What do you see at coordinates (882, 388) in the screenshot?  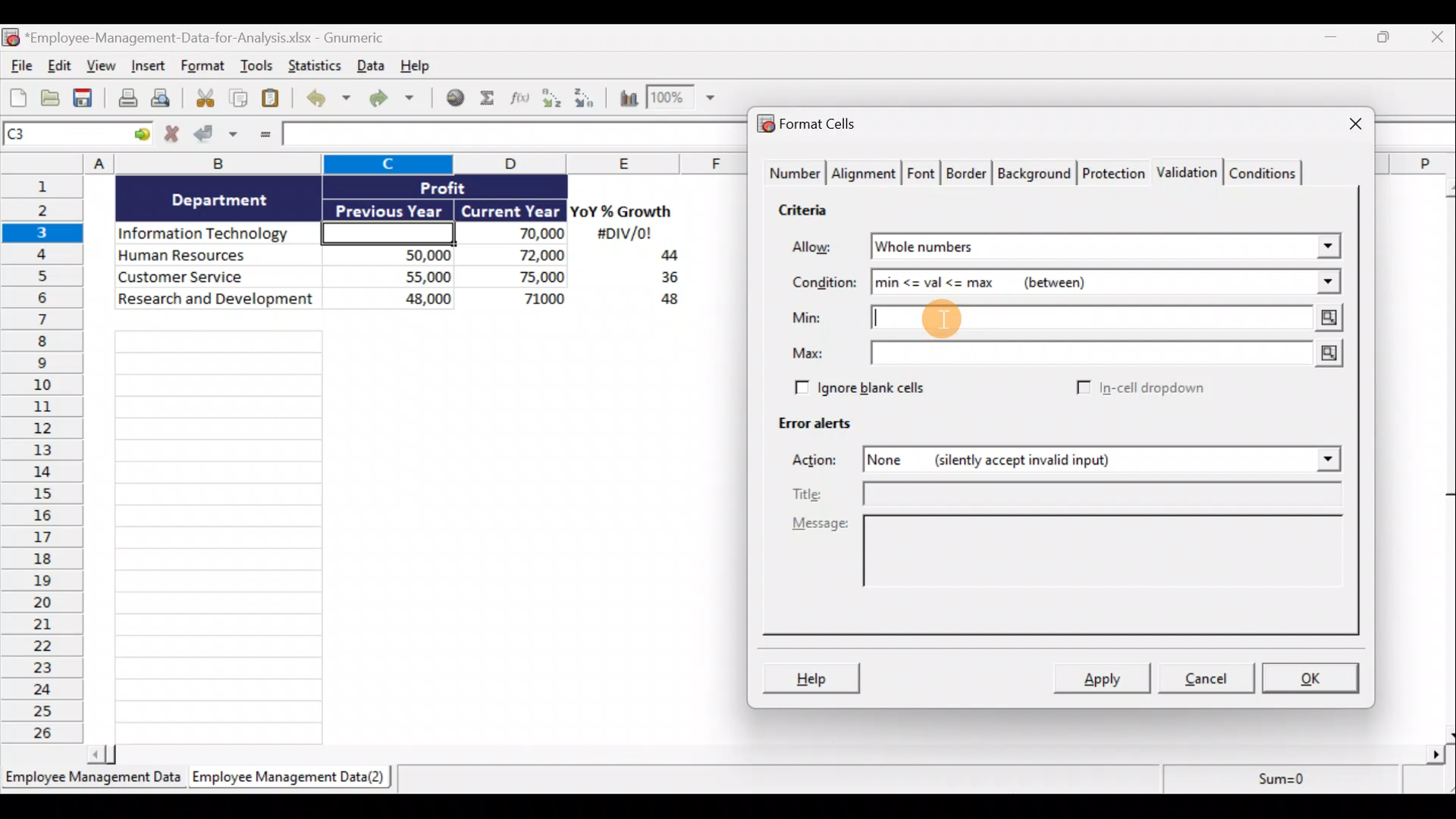 I see `Ignore blank cells` at bounding box center [882, 388].